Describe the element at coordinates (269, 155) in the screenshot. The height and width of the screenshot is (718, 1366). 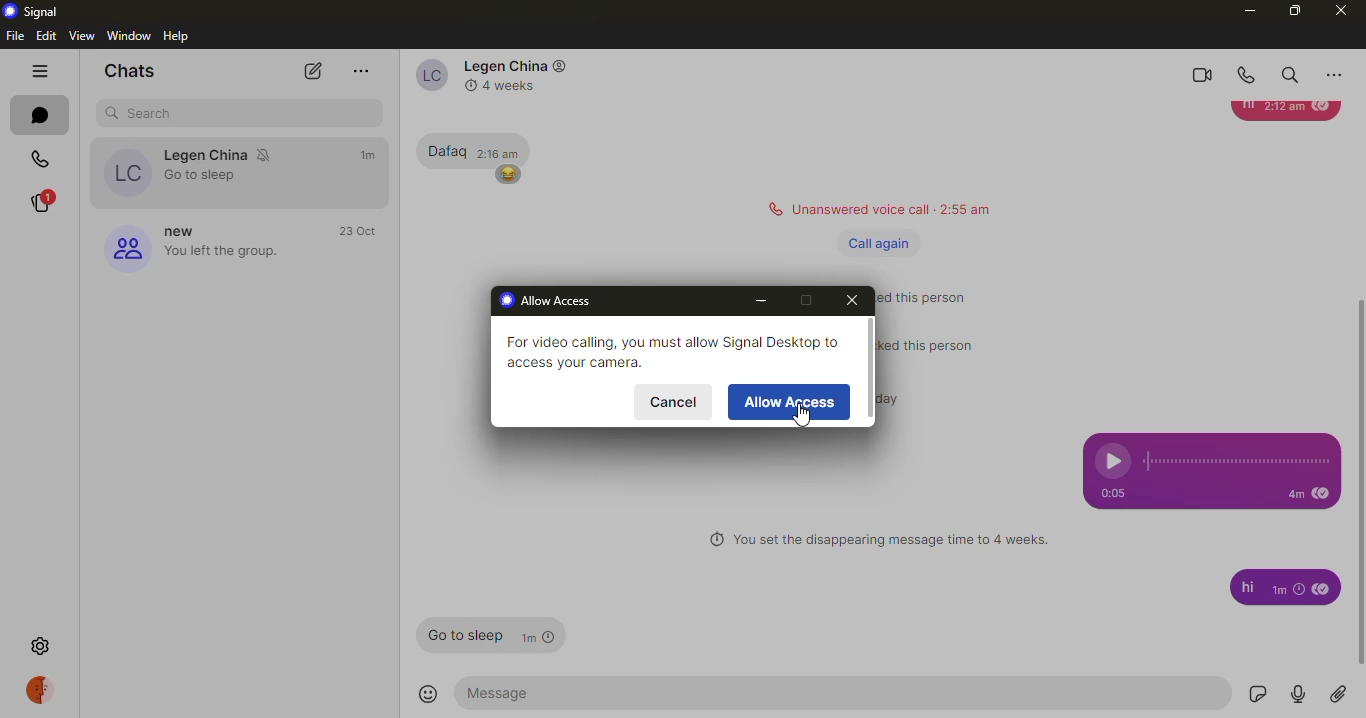
I see `mute notifications` at that location.